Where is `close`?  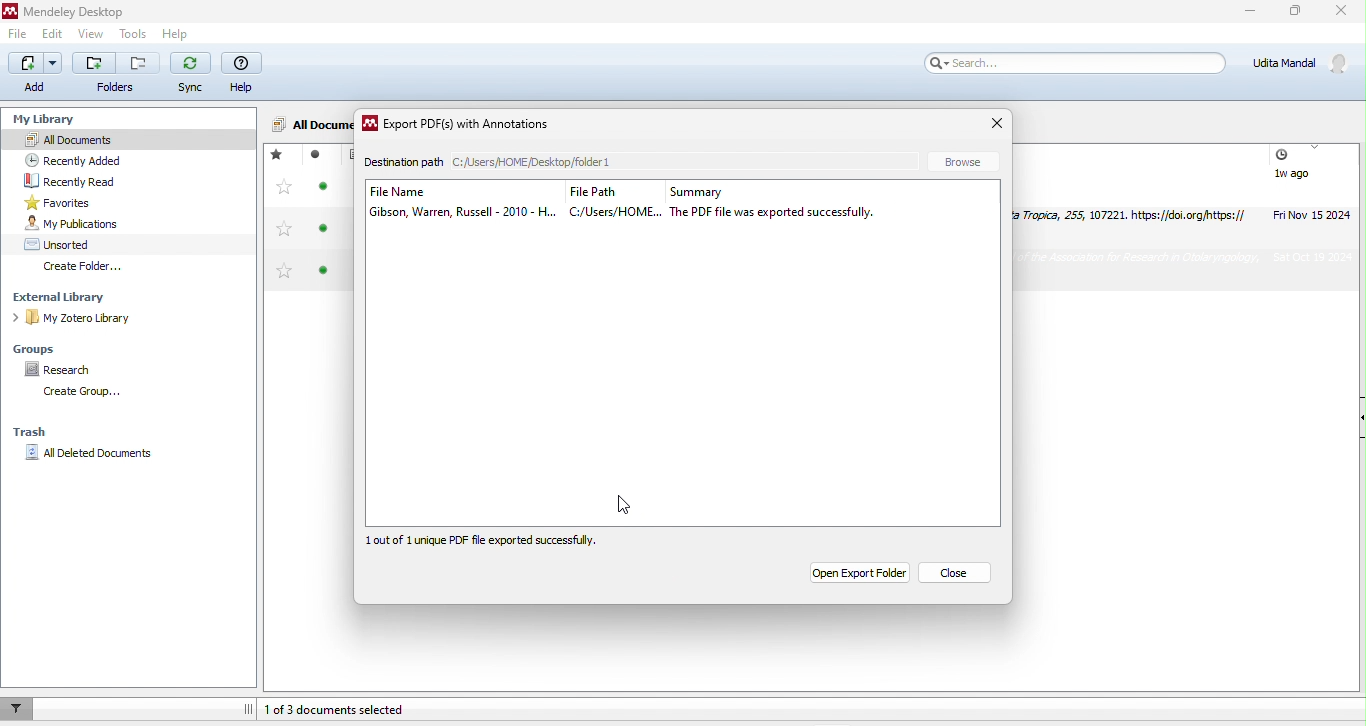
close is located at coordinates (999, 124).